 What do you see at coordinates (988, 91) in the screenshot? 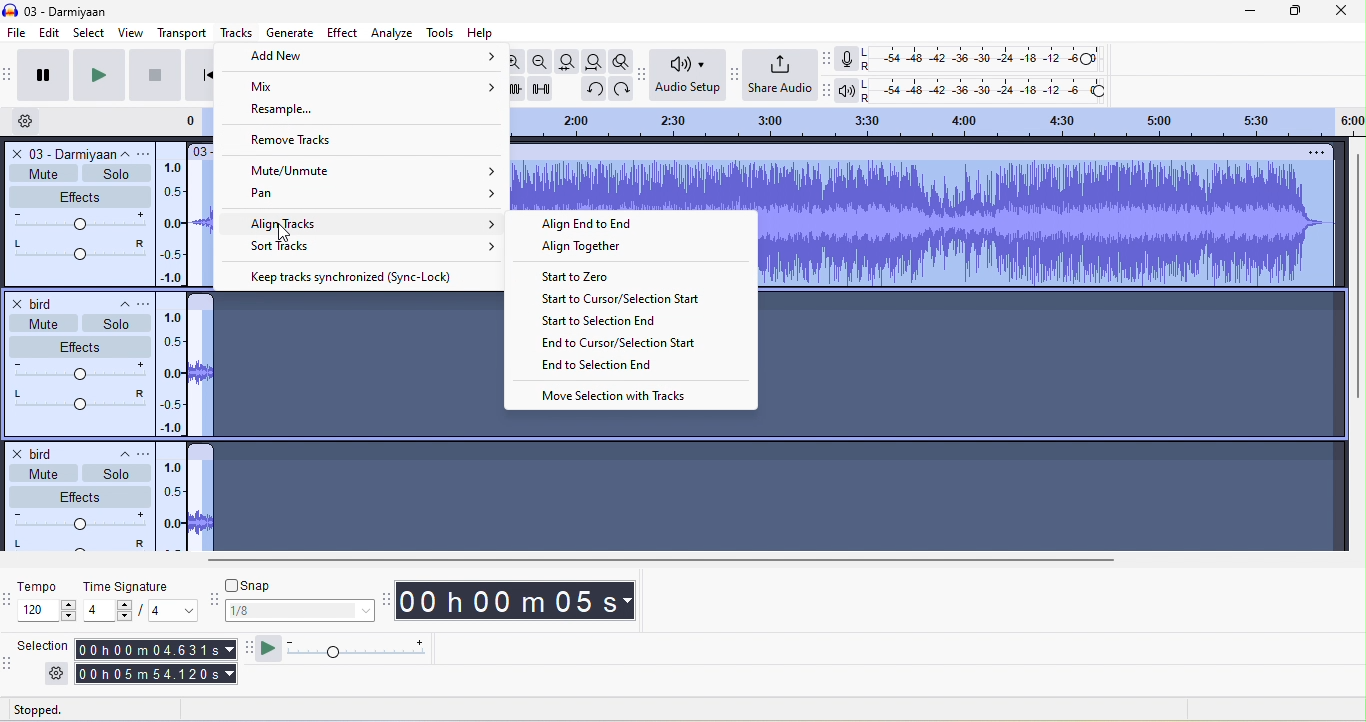
I see `playback level` at bounding box center [988, 91].